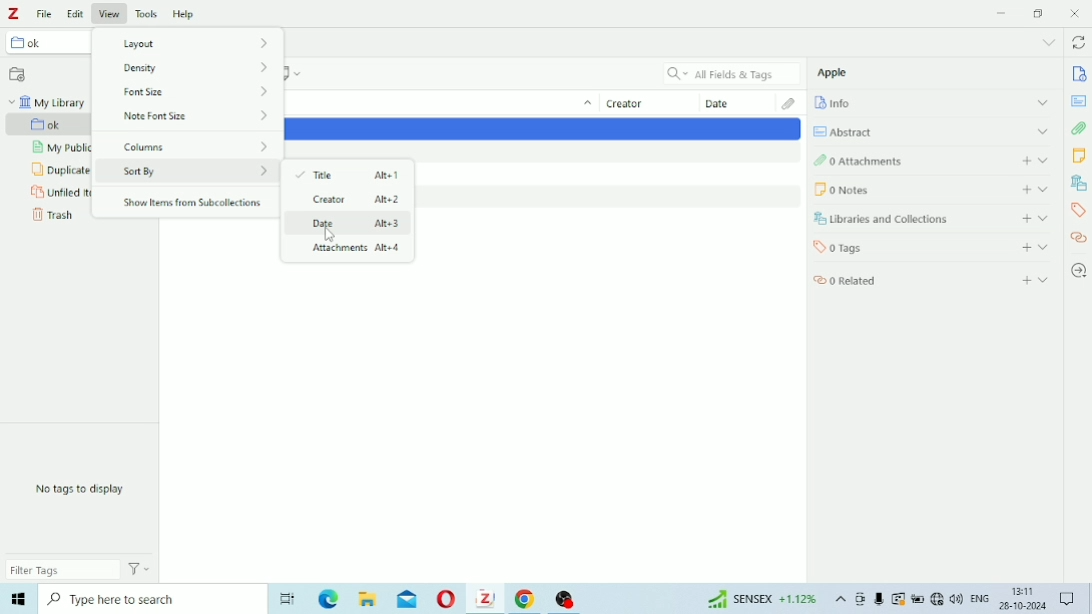 The image size is (1092, 614). What do you see at coordinates (893, 188) in the screenshot?
I see `Notes` at bounding box center [893, 188].